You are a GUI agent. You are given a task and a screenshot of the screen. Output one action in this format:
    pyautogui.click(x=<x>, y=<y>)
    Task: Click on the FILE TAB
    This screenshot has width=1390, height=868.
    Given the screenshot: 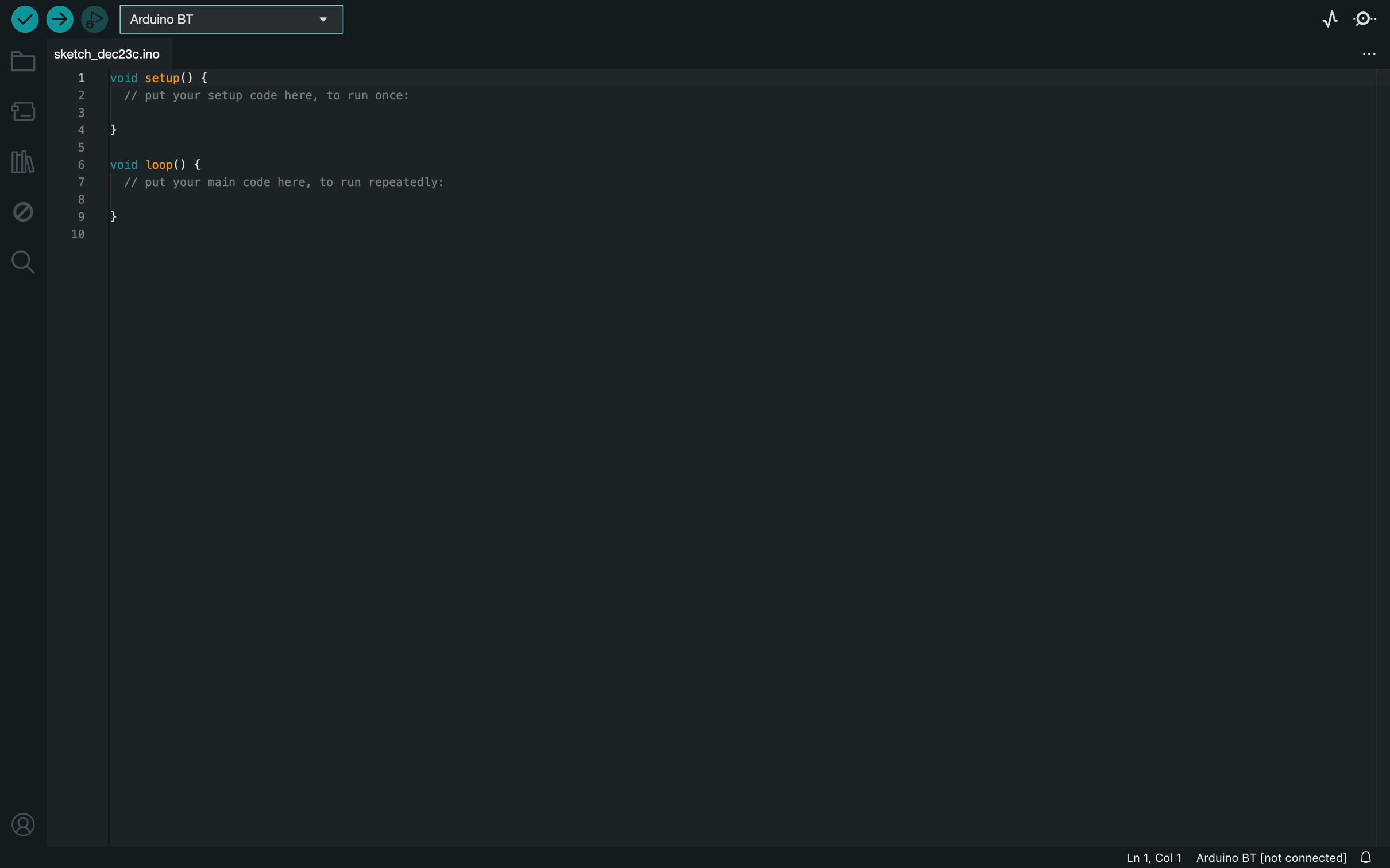 What is the action you would take?
    pyautogui.click(x=115, y=56)
    